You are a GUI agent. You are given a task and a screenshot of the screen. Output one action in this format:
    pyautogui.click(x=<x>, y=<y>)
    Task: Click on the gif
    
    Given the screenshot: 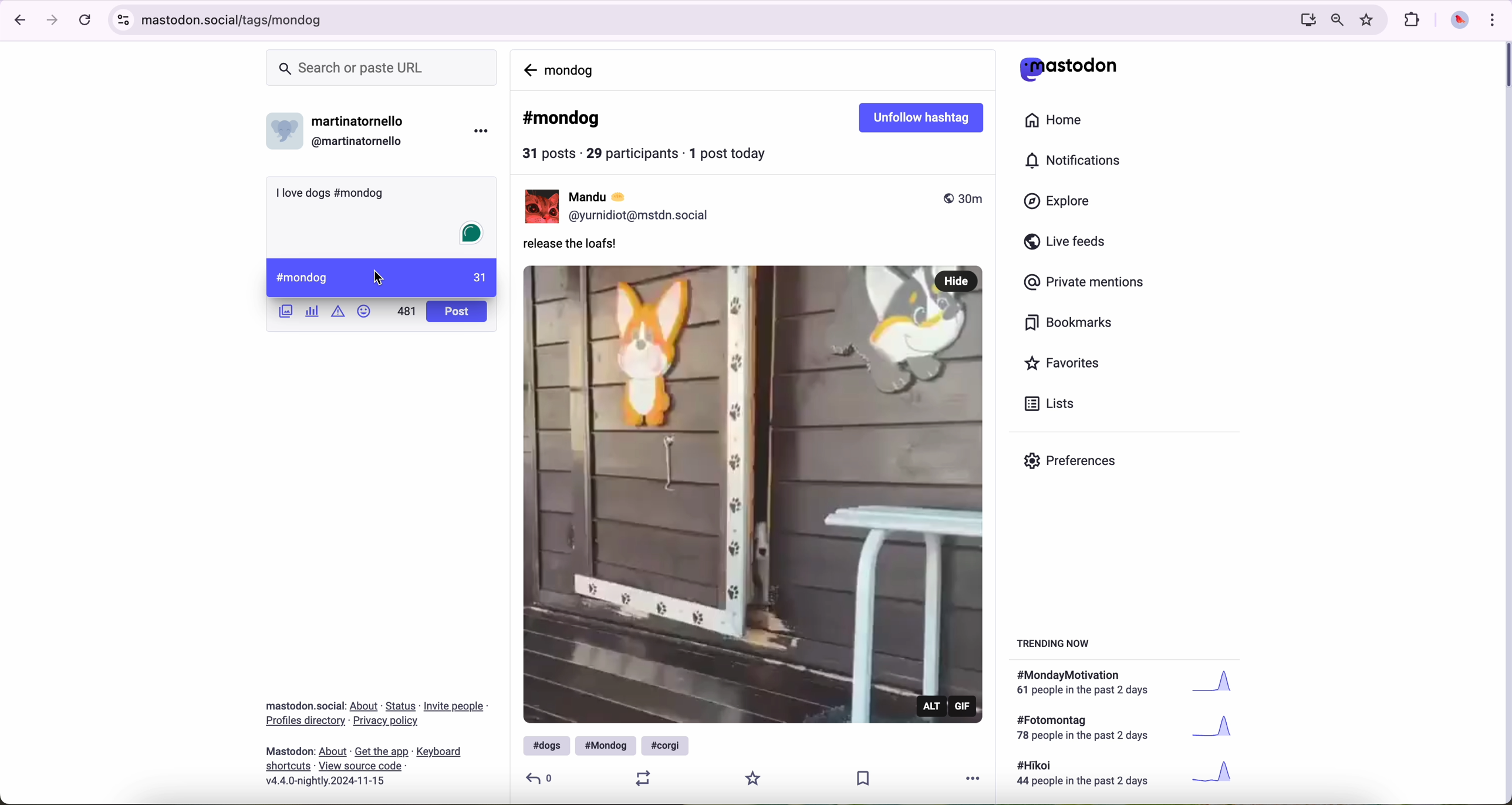 What is the action you would take?
    pyautogui.click(x=753, y=492)
    